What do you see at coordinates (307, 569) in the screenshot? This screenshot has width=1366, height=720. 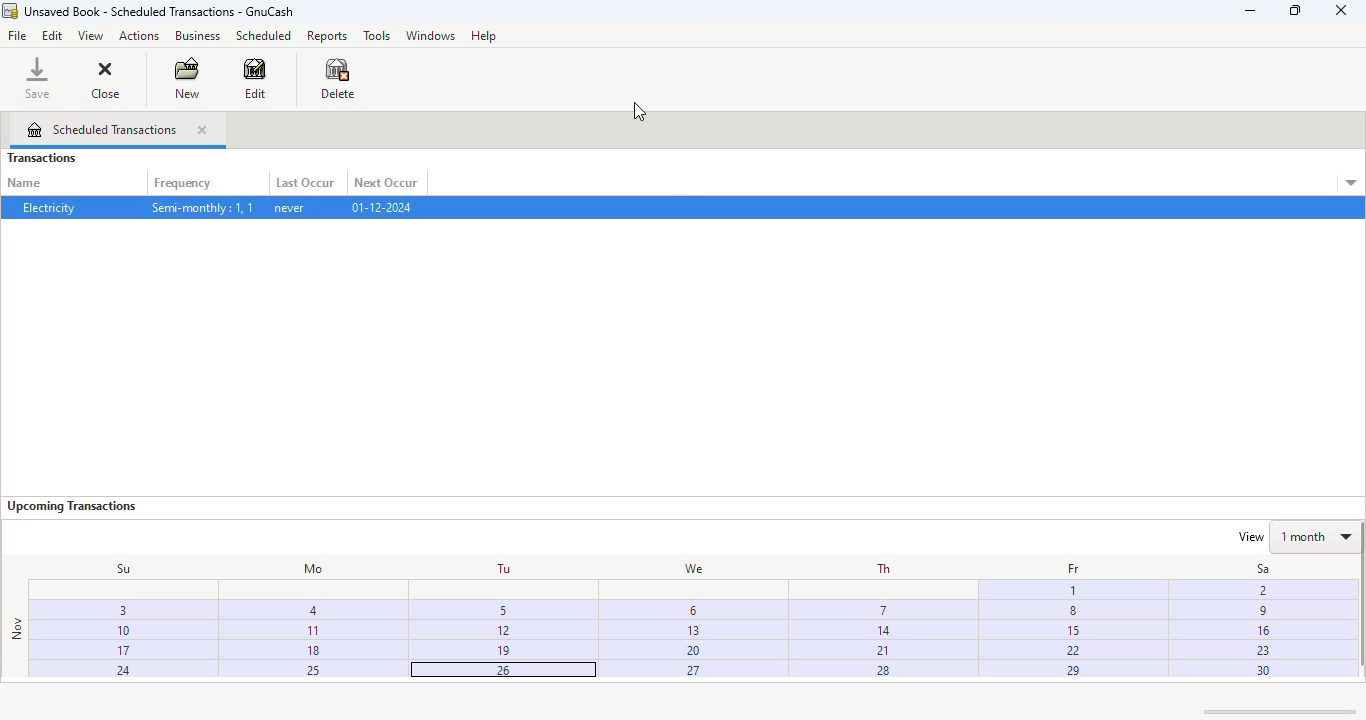 I see `Mo` at bounding box center [307, 569].